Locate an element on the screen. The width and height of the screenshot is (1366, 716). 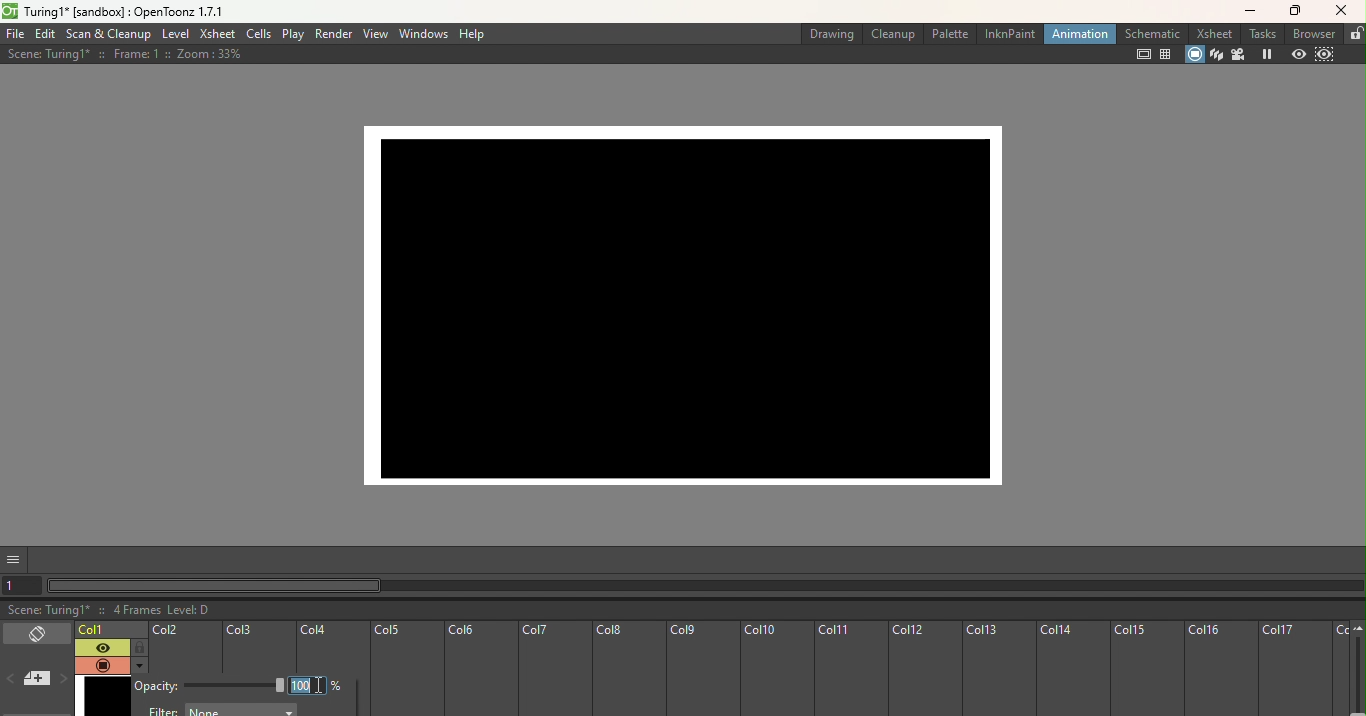
Tasks is located at coordinates (1257, 34).